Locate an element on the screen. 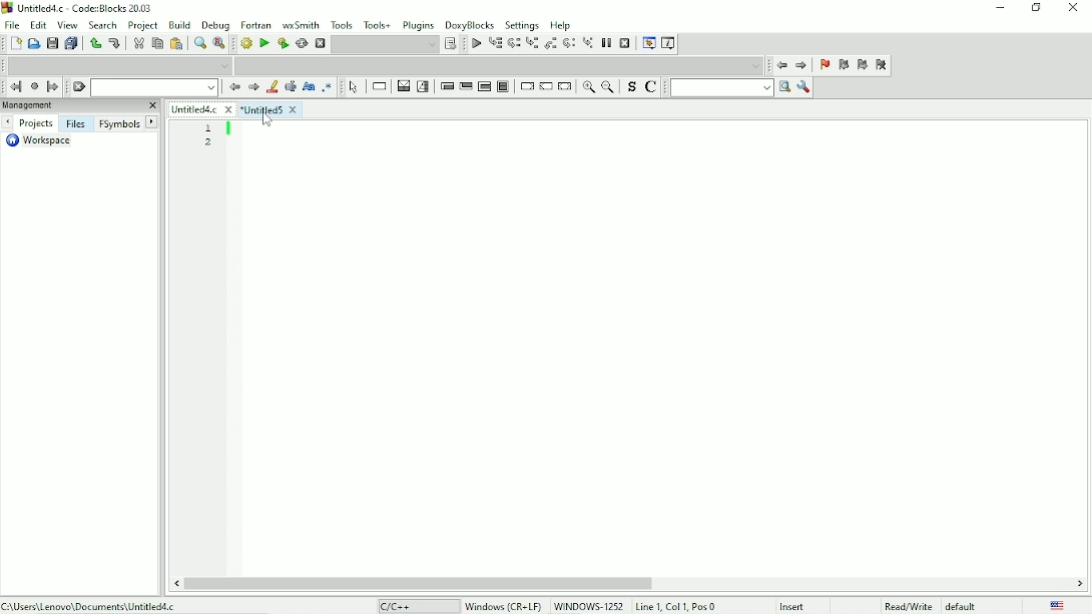  1 is located at coordinates (209, 128).